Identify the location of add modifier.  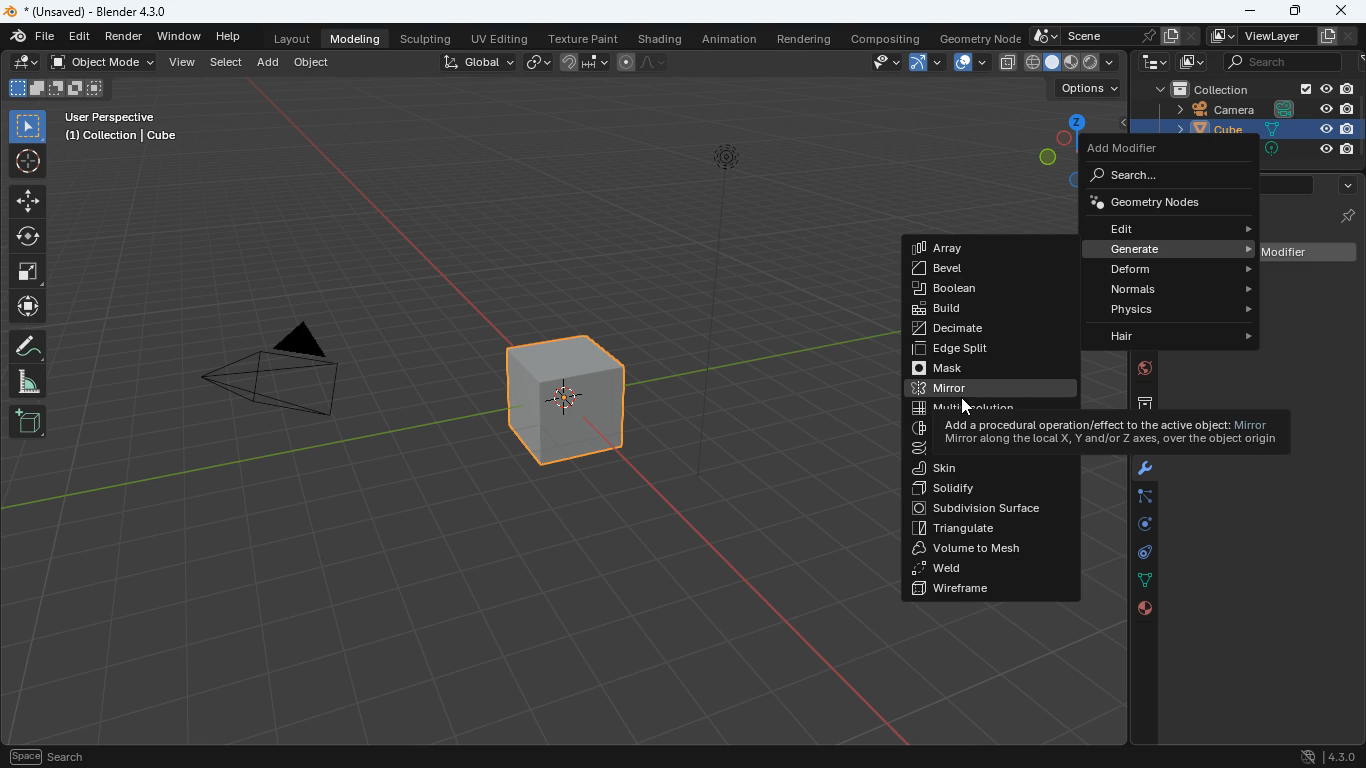
(1302, 251).